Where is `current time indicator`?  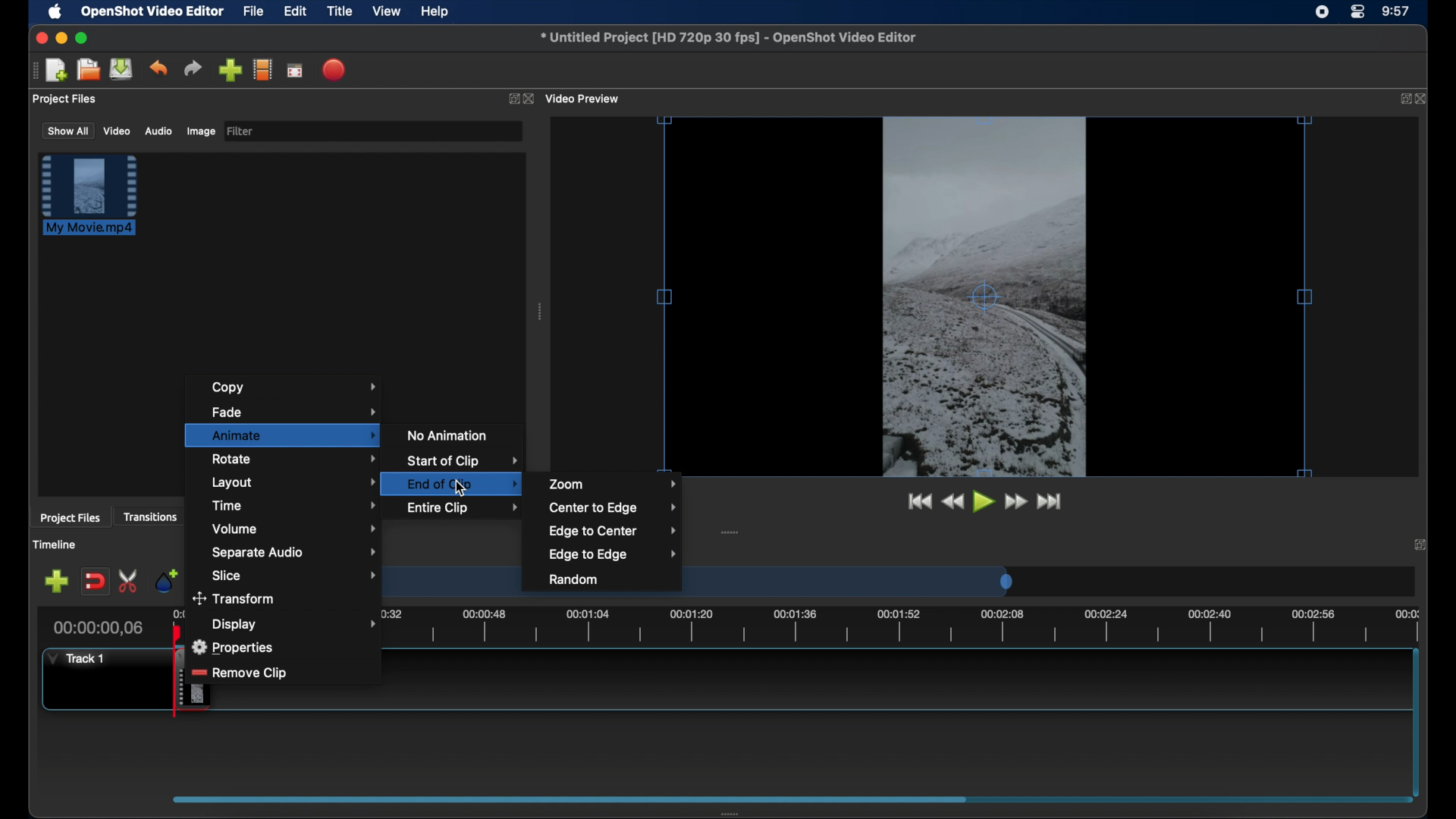 current time indicator is located at coordinates (99, 628).